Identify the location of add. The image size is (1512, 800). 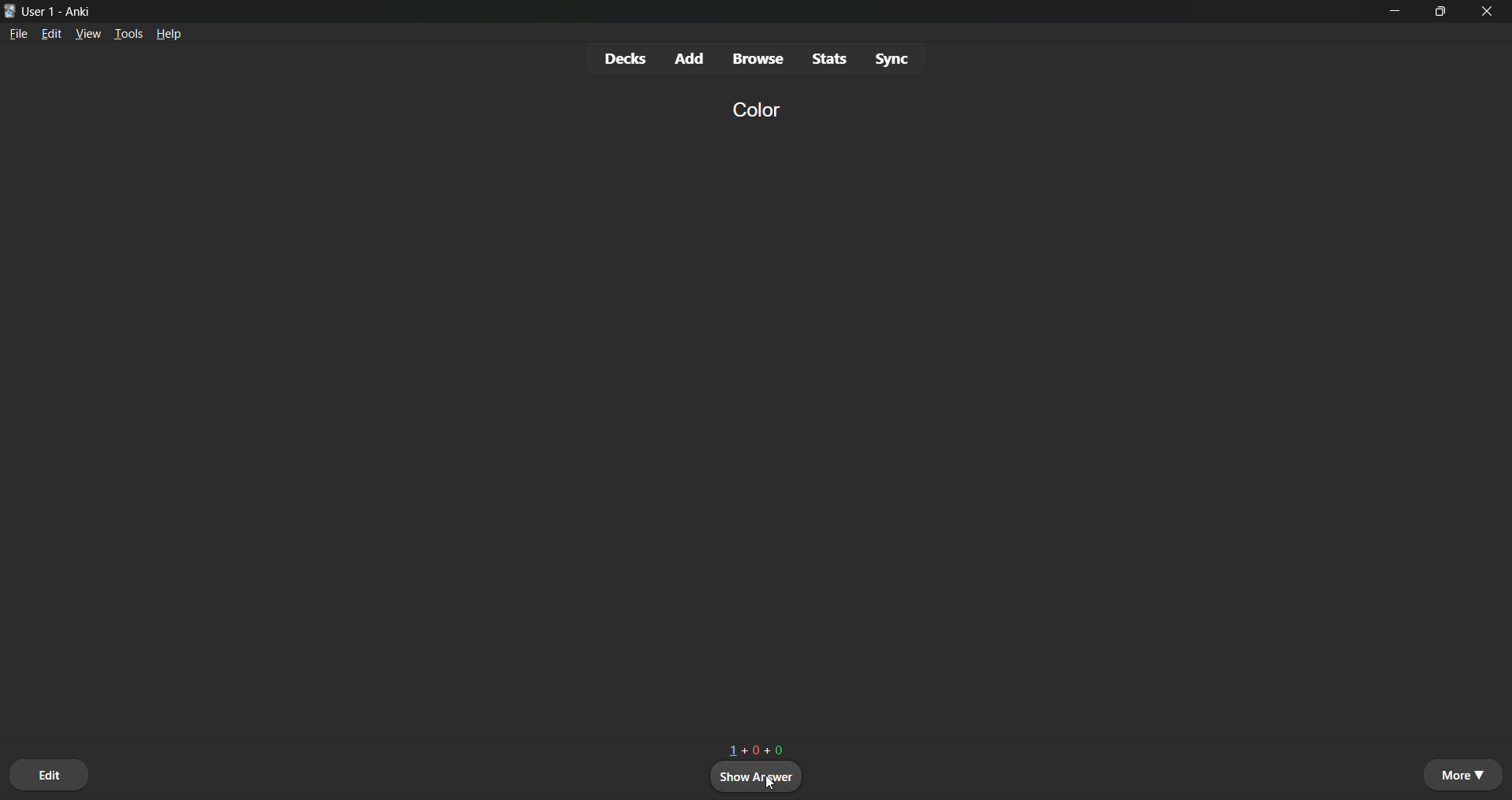
(691, 56).